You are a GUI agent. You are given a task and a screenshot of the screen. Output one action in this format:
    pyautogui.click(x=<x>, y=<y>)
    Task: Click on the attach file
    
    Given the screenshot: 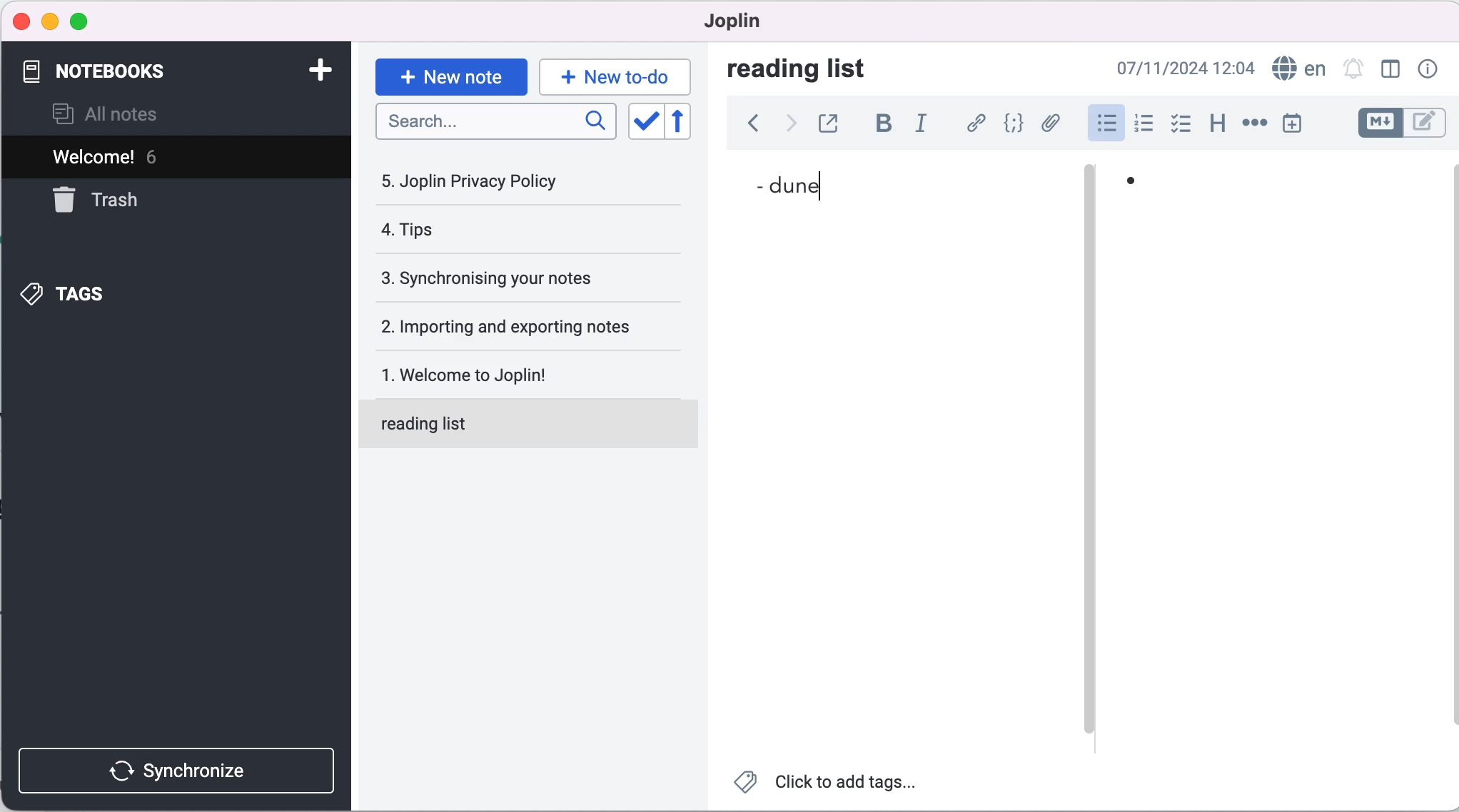 What is the action you would take?
    pyautogui.click(x=1052, y=125)
    